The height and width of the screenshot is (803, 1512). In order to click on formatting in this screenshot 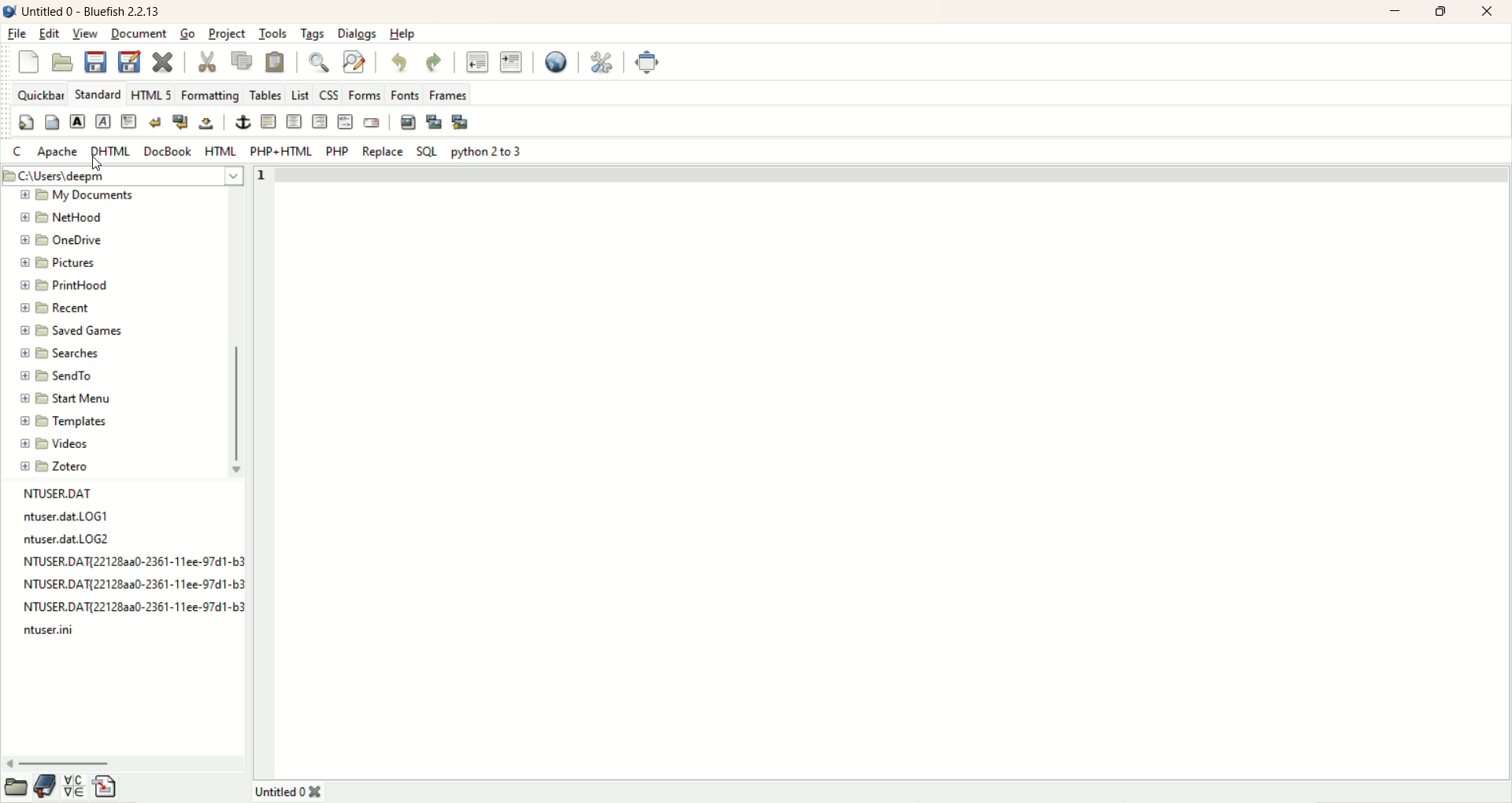, I will do `click(213, 93)`.